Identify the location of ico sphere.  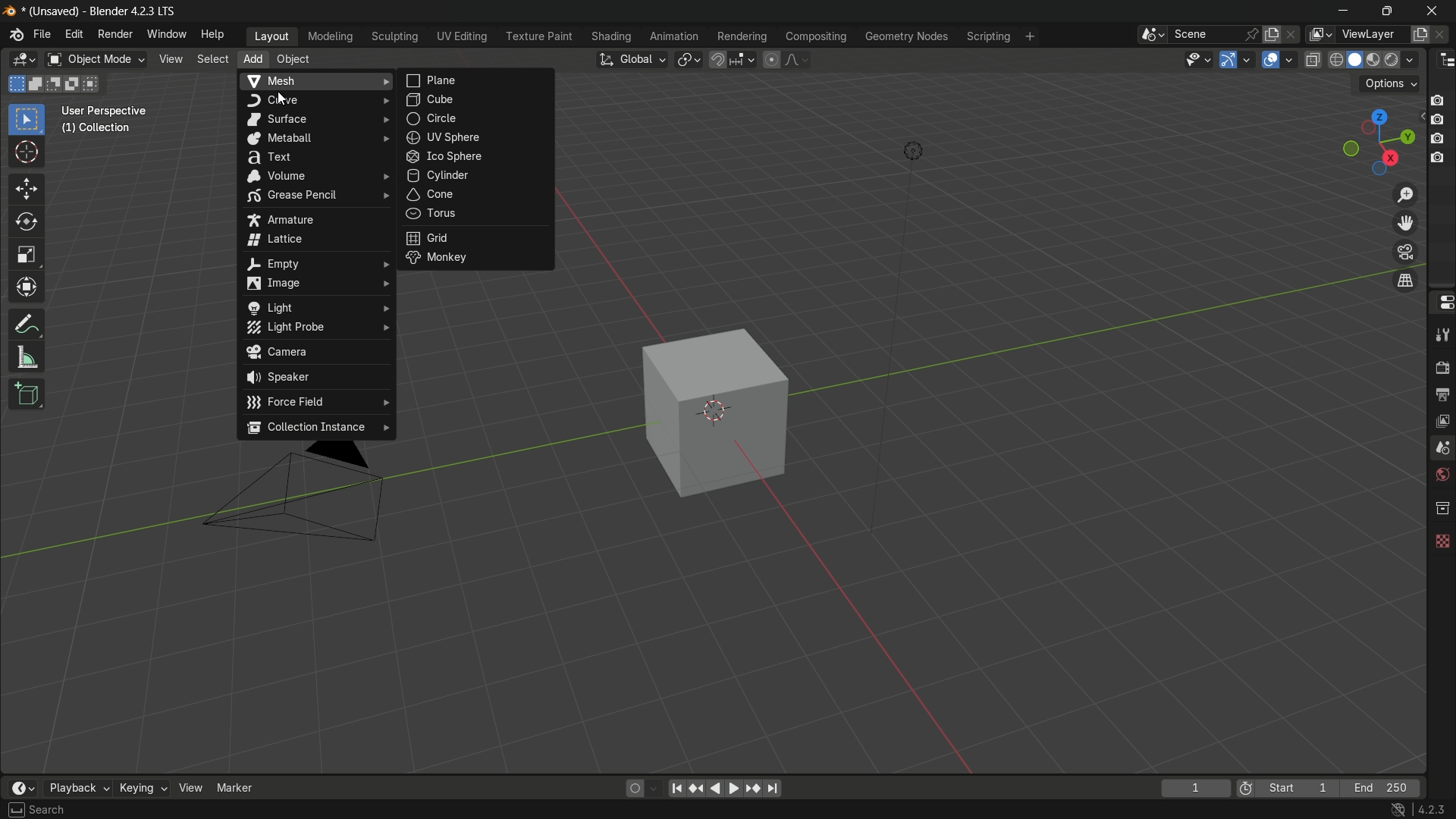
(475, 155).